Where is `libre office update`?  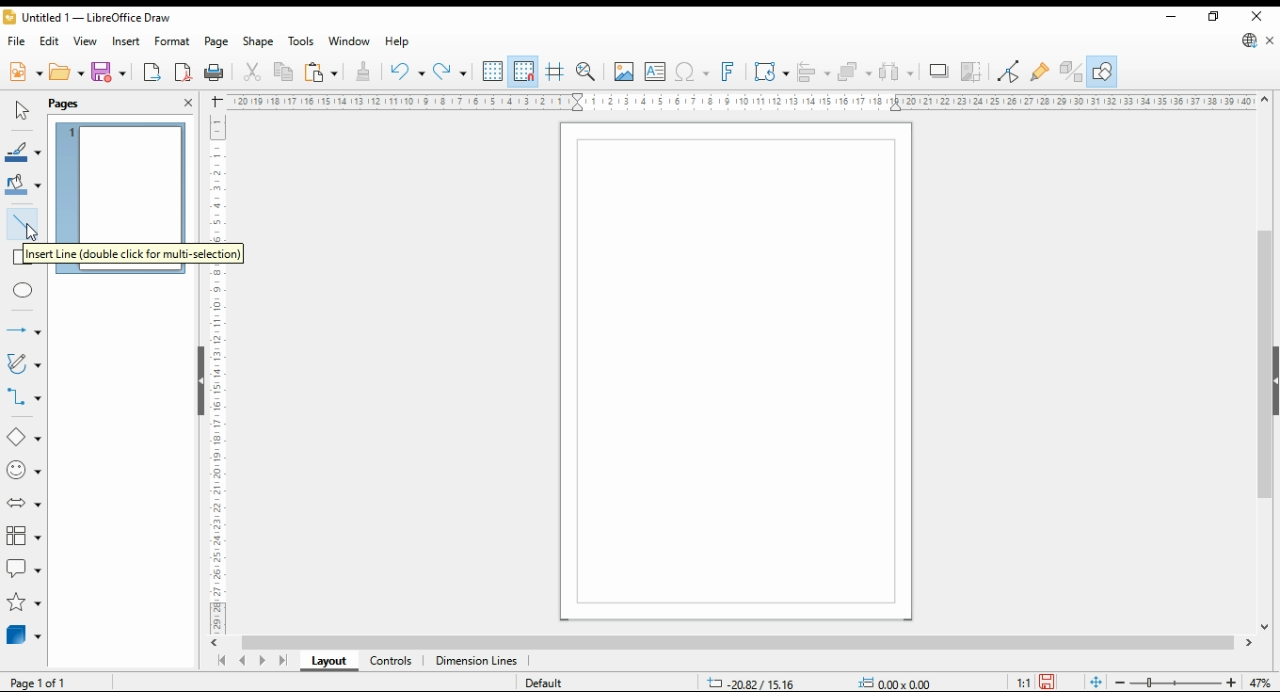 libre office update is located at coordinates (1250, 42).